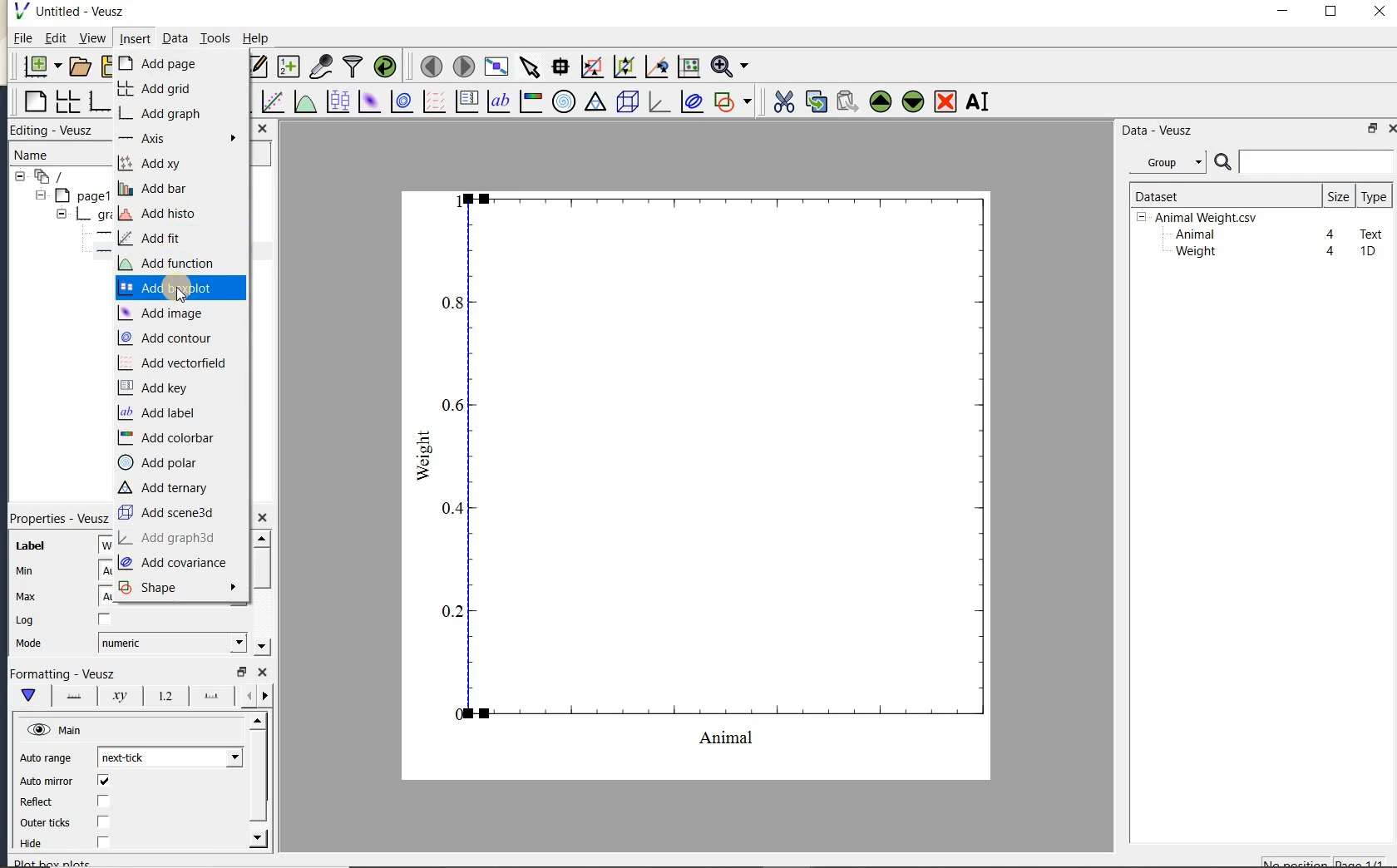 Image resolution: width=1397 pixels, height=868 pixels. What do you see at coordinates (976, 101) in the screenshot?
I see `renames the selected widget` at bounding box center [976, 101].